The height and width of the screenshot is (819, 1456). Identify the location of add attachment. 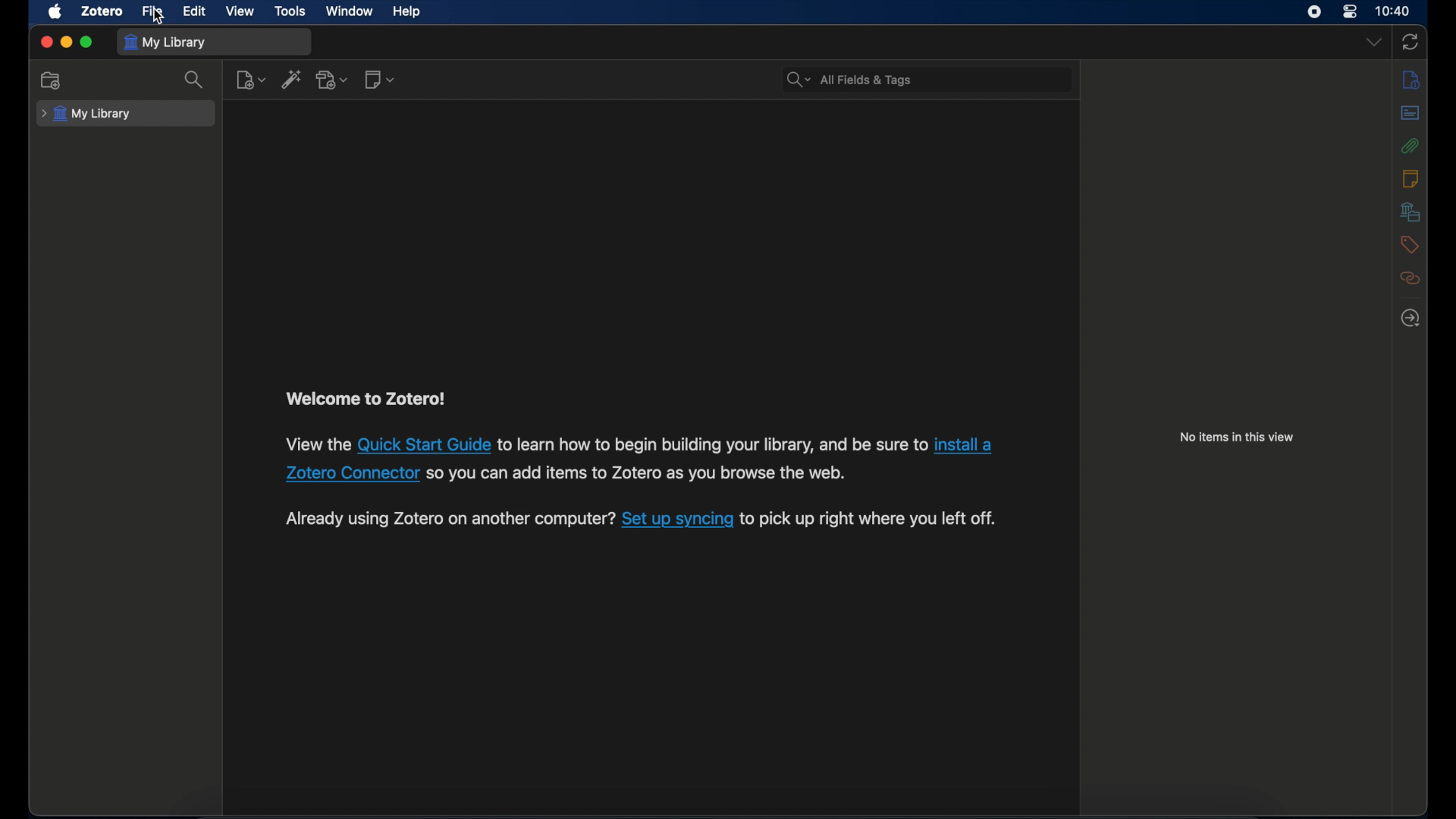
(334, 80).